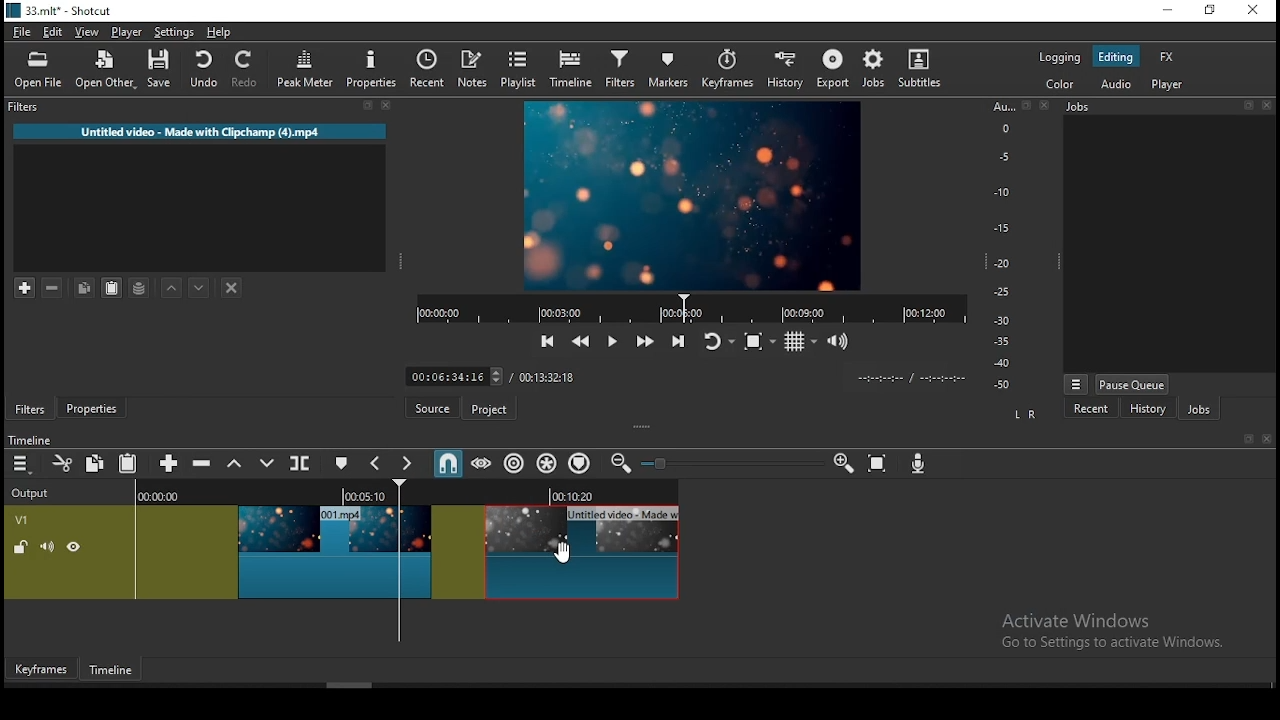 The height and width of the screenshot is (720, 1280). I want to click on overwrite, so click(267, 464).